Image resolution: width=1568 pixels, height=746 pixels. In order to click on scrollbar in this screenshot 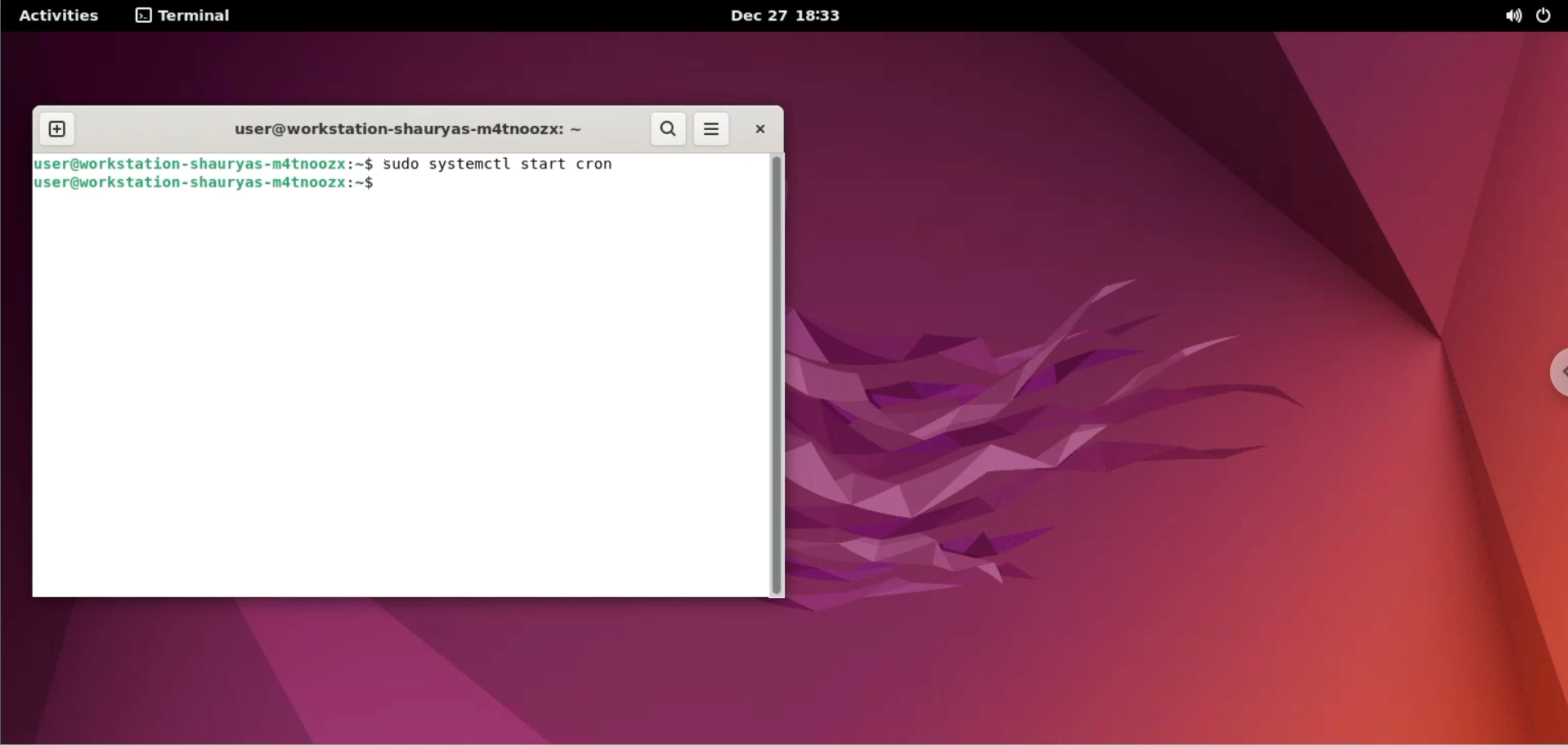, I will do `click(781, 377)`.